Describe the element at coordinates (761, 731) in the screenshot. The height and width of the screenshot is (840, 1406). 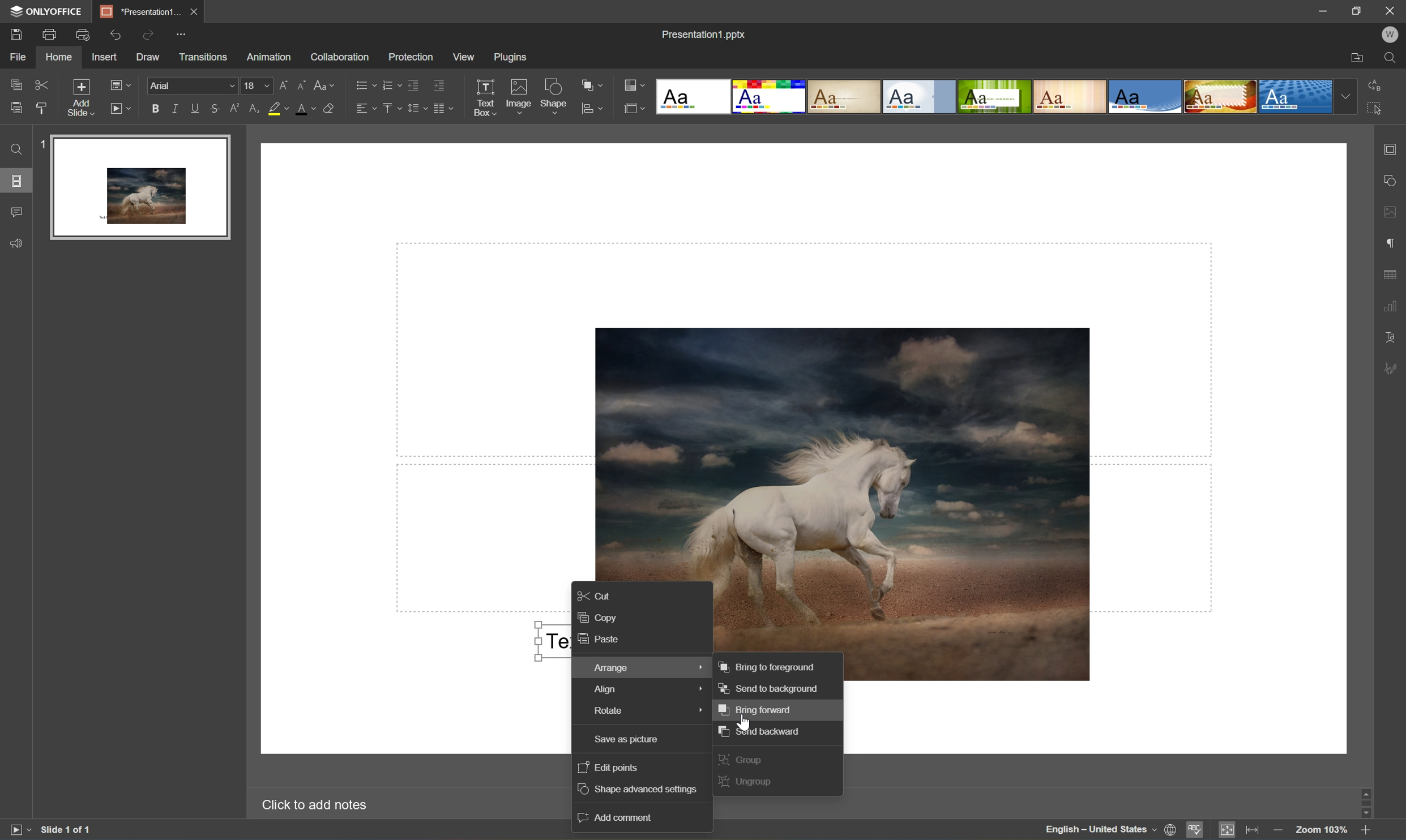
I see `Send backward` at that location.